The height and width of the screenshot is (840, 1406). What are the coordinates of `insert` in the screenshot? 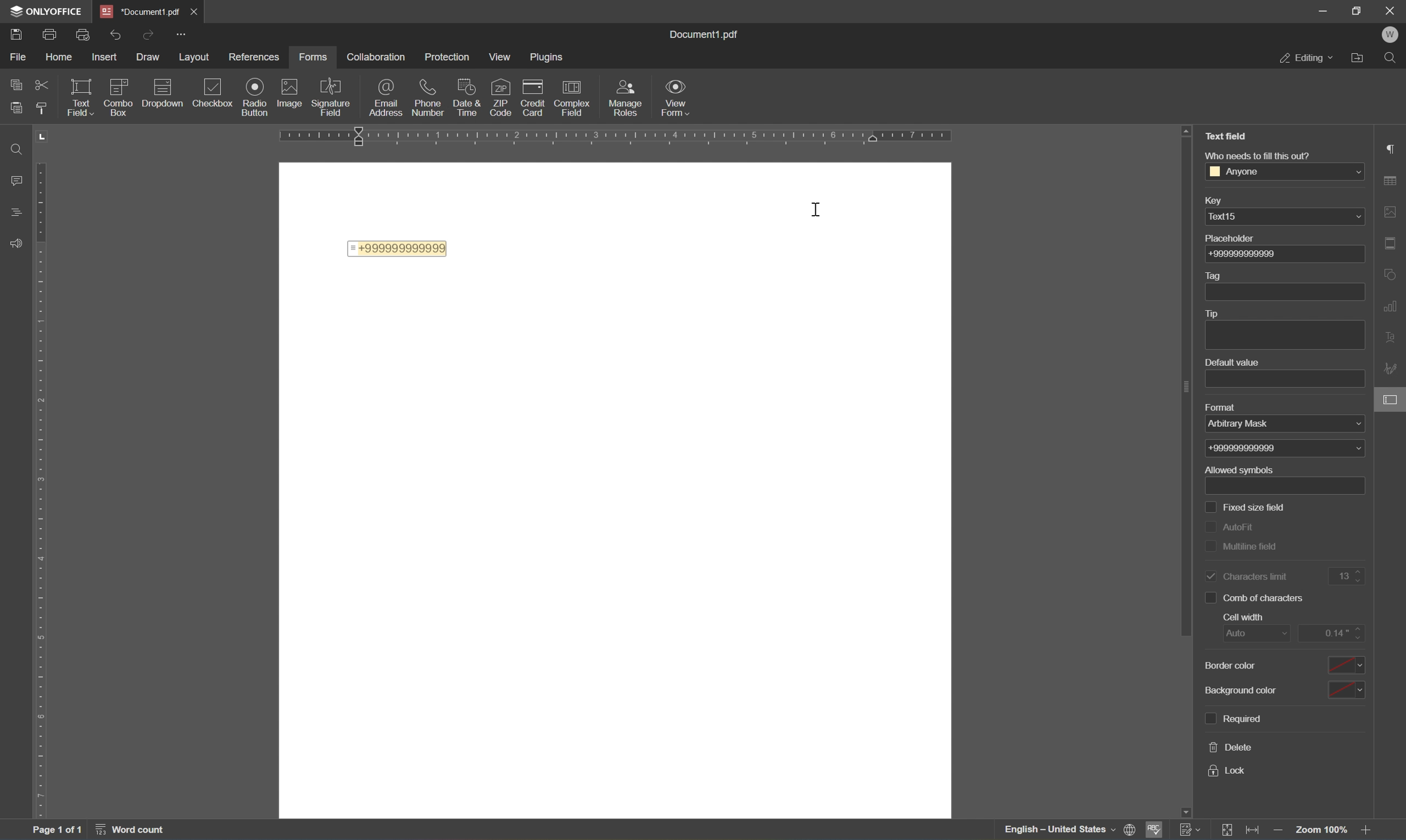 It's located at (103, 57).